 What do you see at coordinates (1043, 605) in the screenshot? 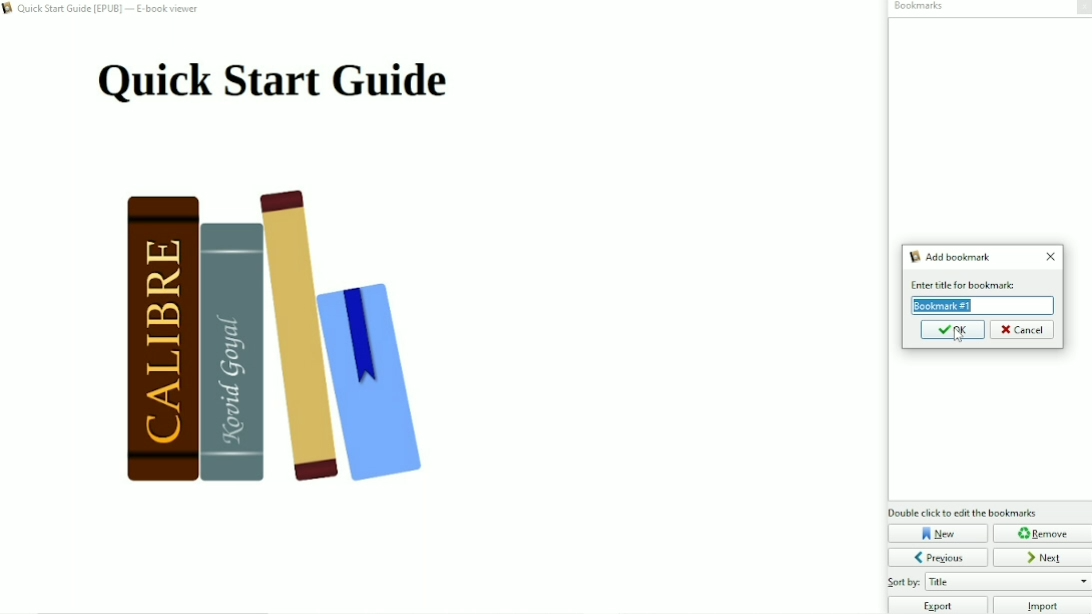
I see `Import` at bounding box center [1043, 605].